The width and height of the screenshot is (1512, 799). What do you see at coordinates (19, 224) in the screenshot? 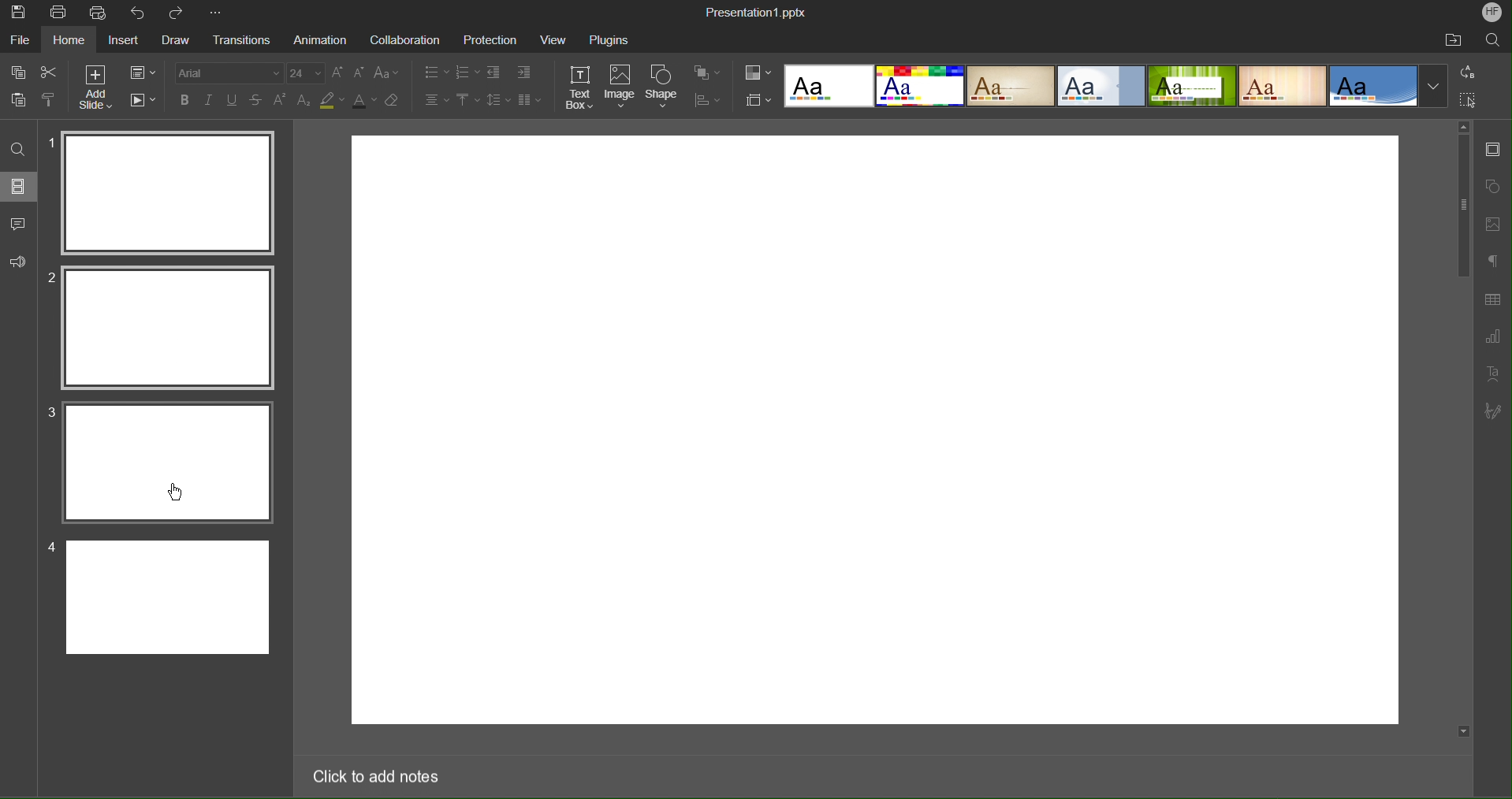
I see `Comments` at bounding box center [19, 224].